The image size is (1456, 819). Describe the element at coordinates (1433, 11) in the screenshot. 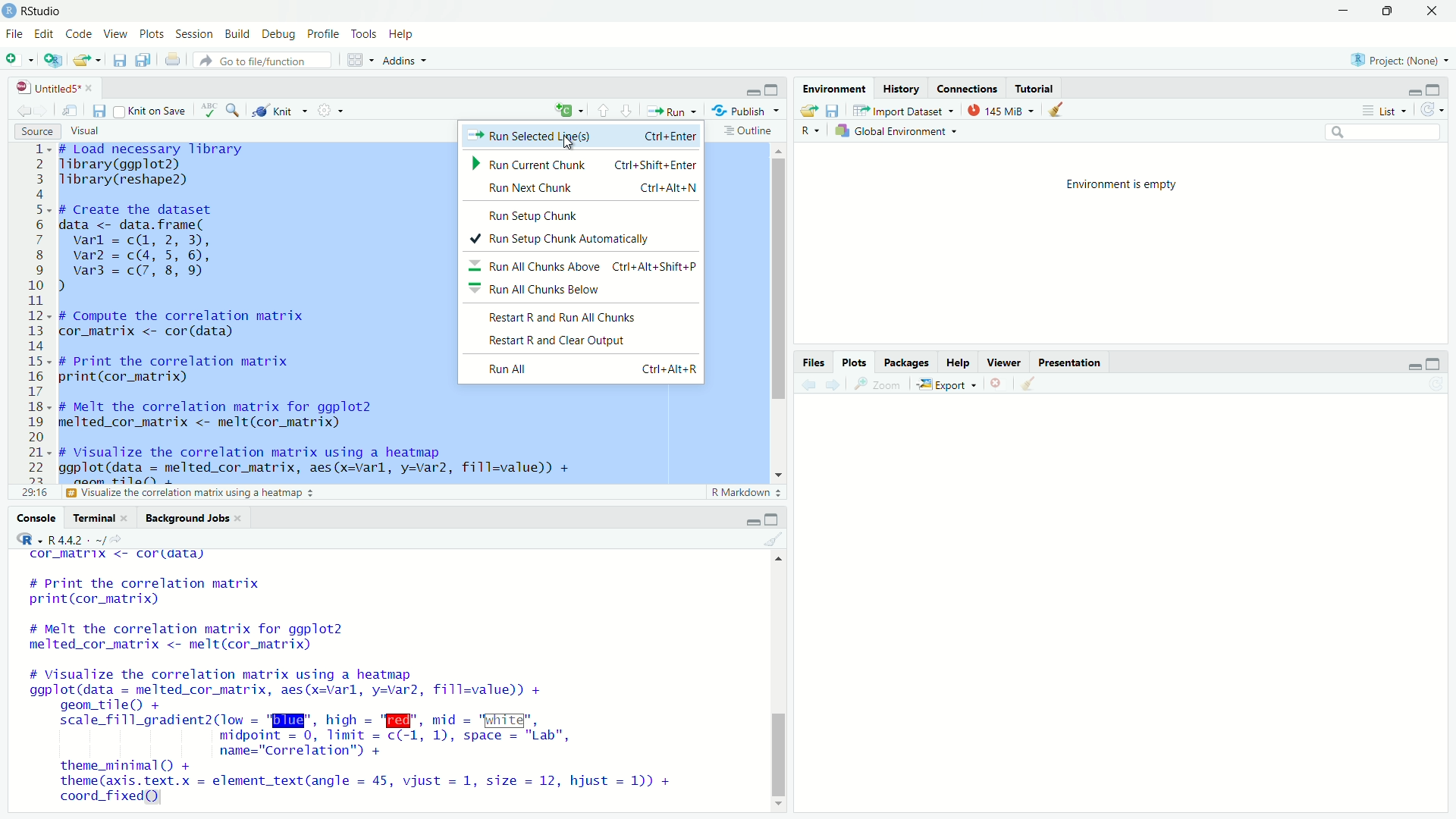

I see `close` at that location.